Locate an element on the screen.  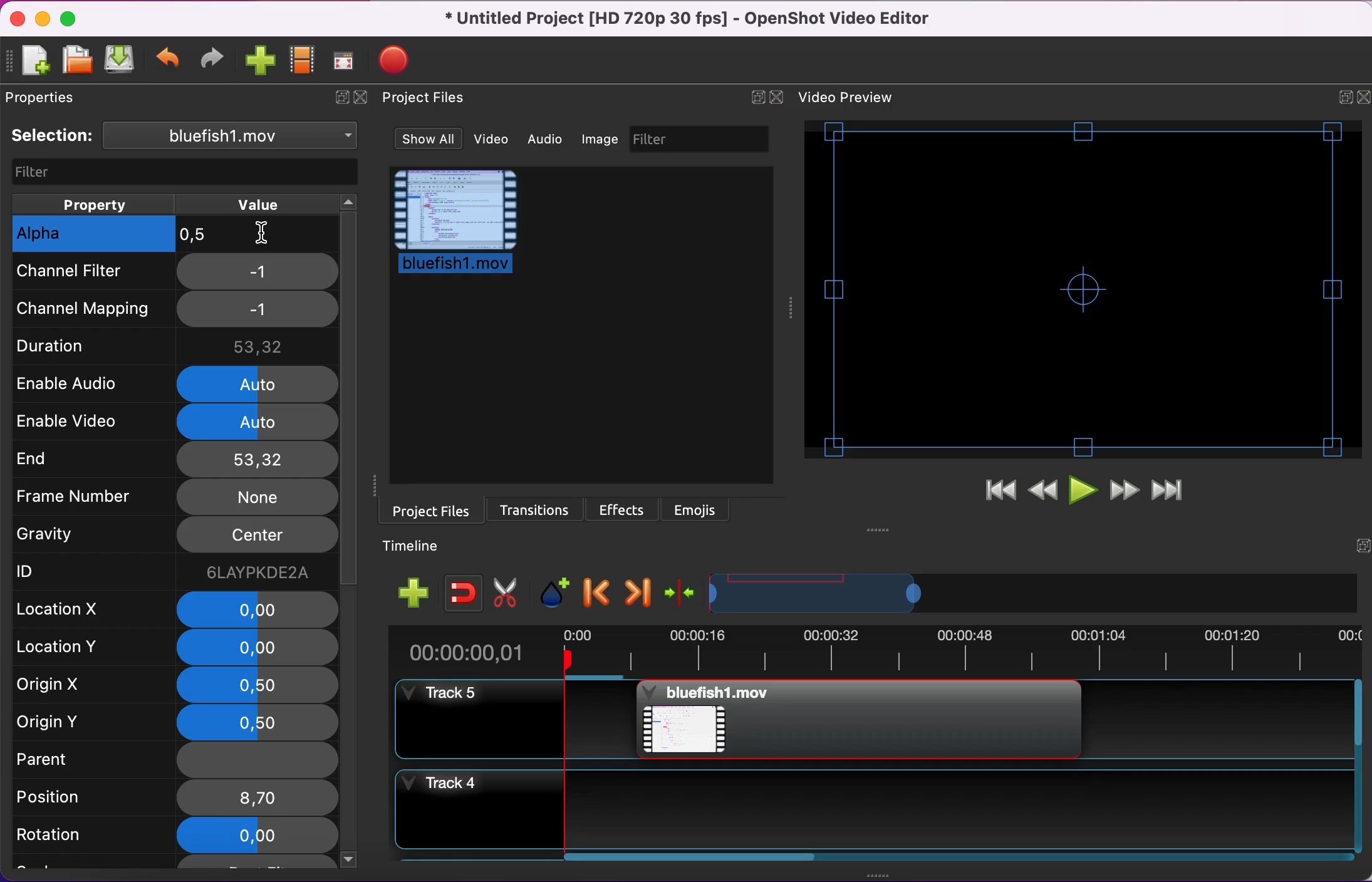
ID is located at coordinates (67, 573).